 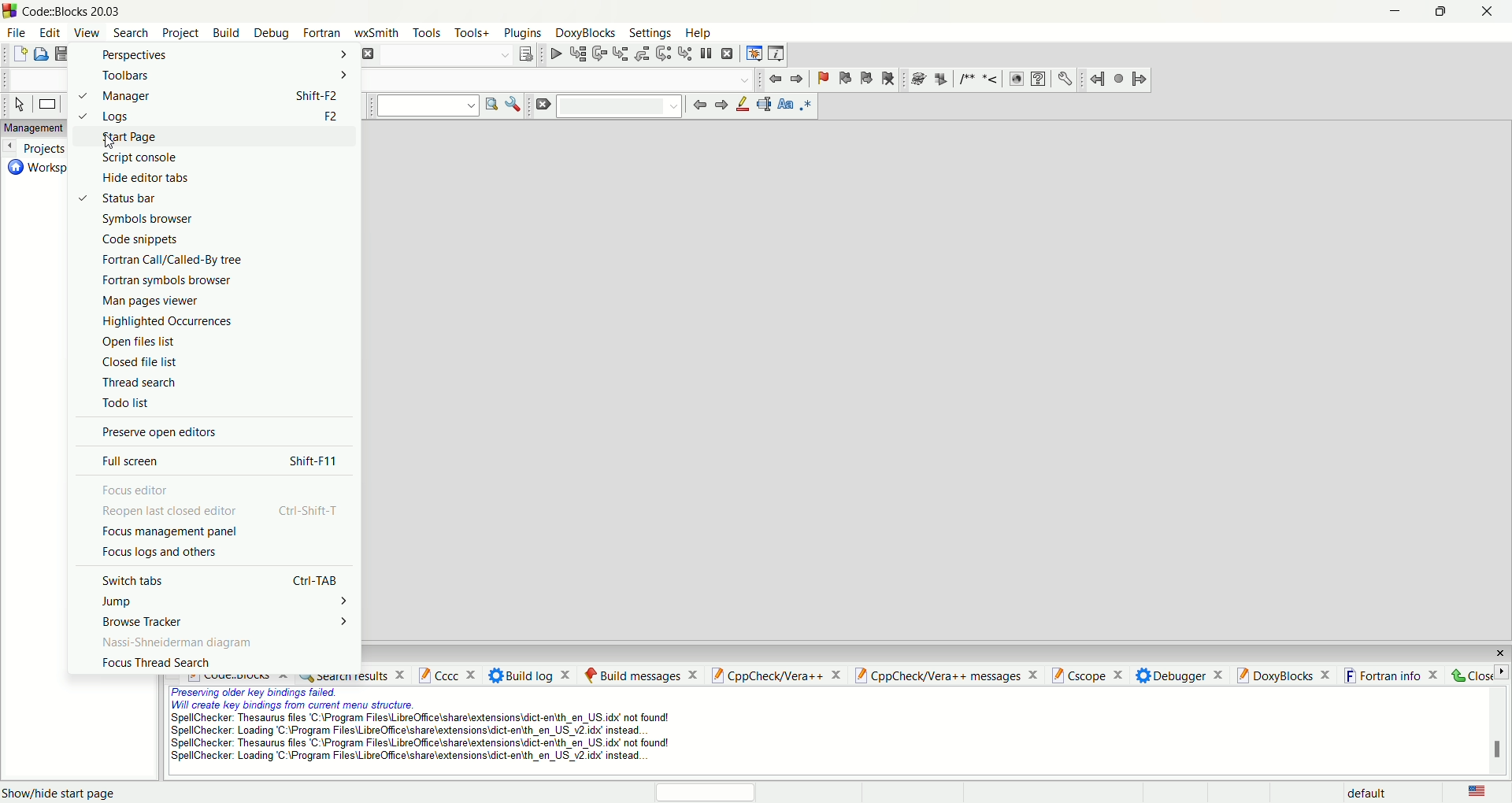 What do you see at coordinates (122, 402) in the screenshot?
I see `todo list` at bounding box center [122, 402].